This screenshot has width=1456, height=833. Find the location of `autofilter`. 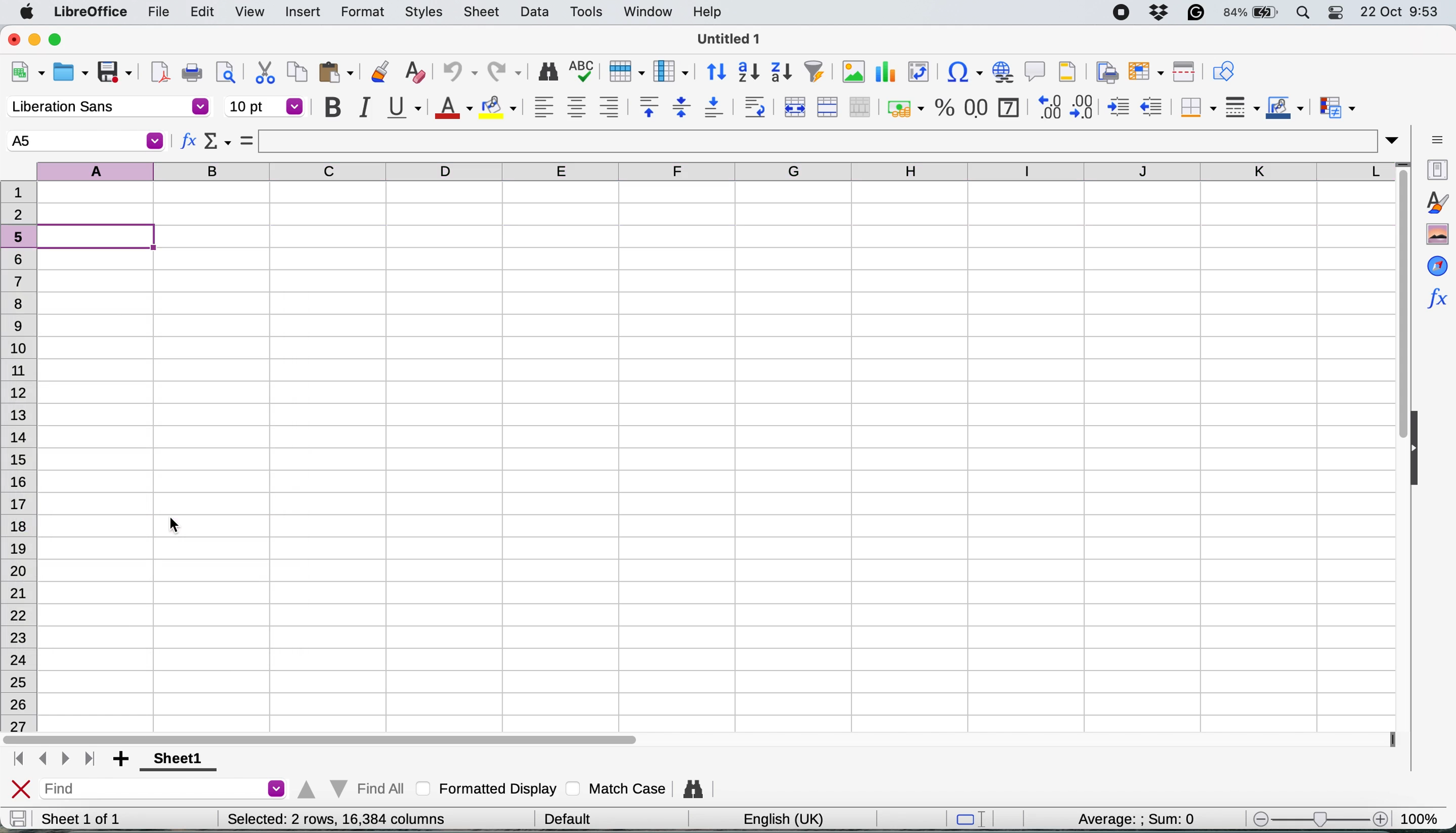

autofilter is located at coordinates (814, 72).